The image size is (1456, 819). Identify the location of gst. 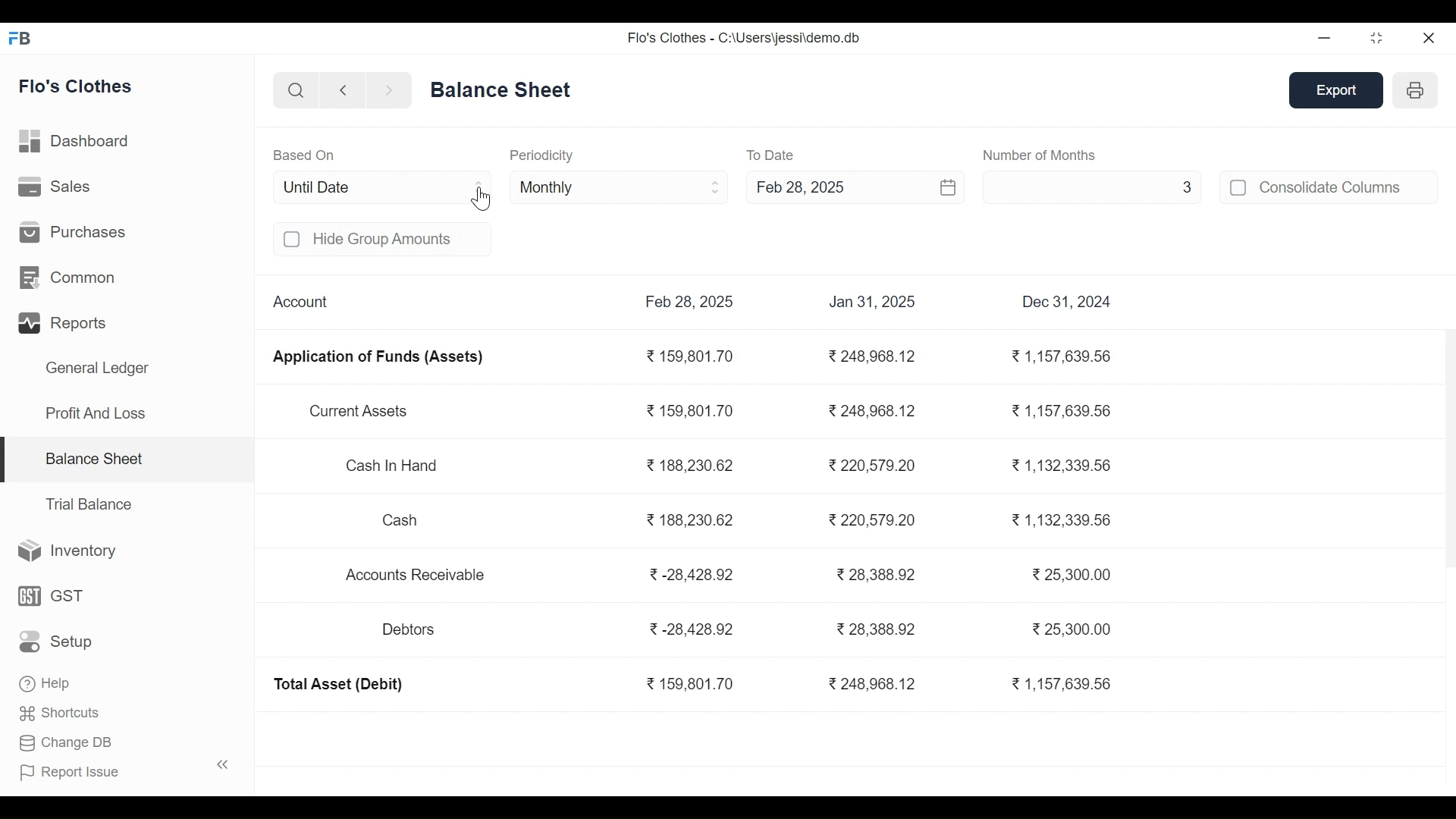
(52, 595).